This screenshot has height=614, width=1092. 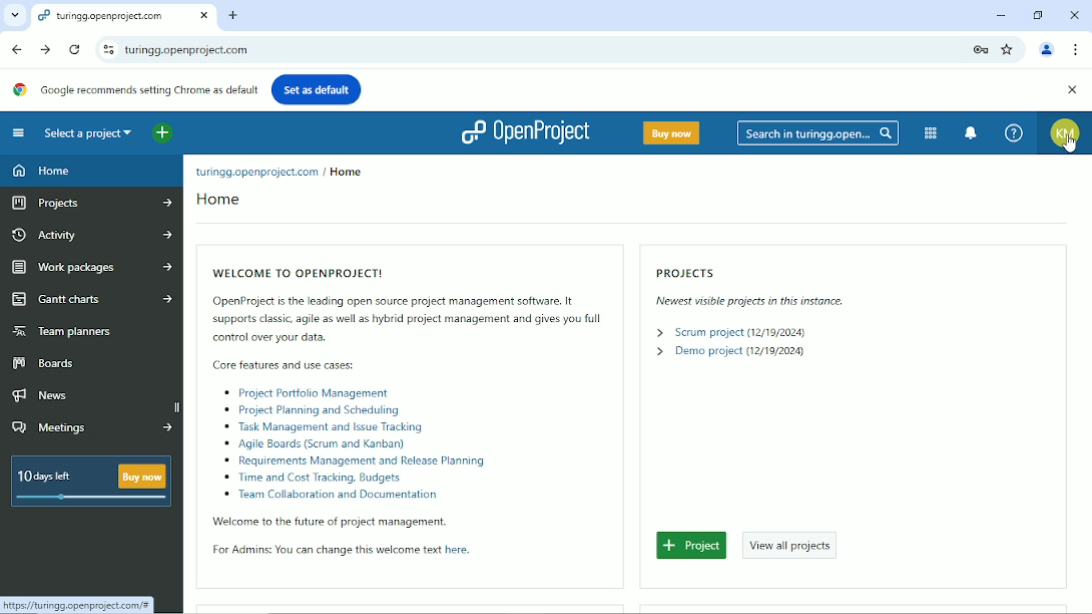 I want to click on Minimize, so click(x=1001, y=15).